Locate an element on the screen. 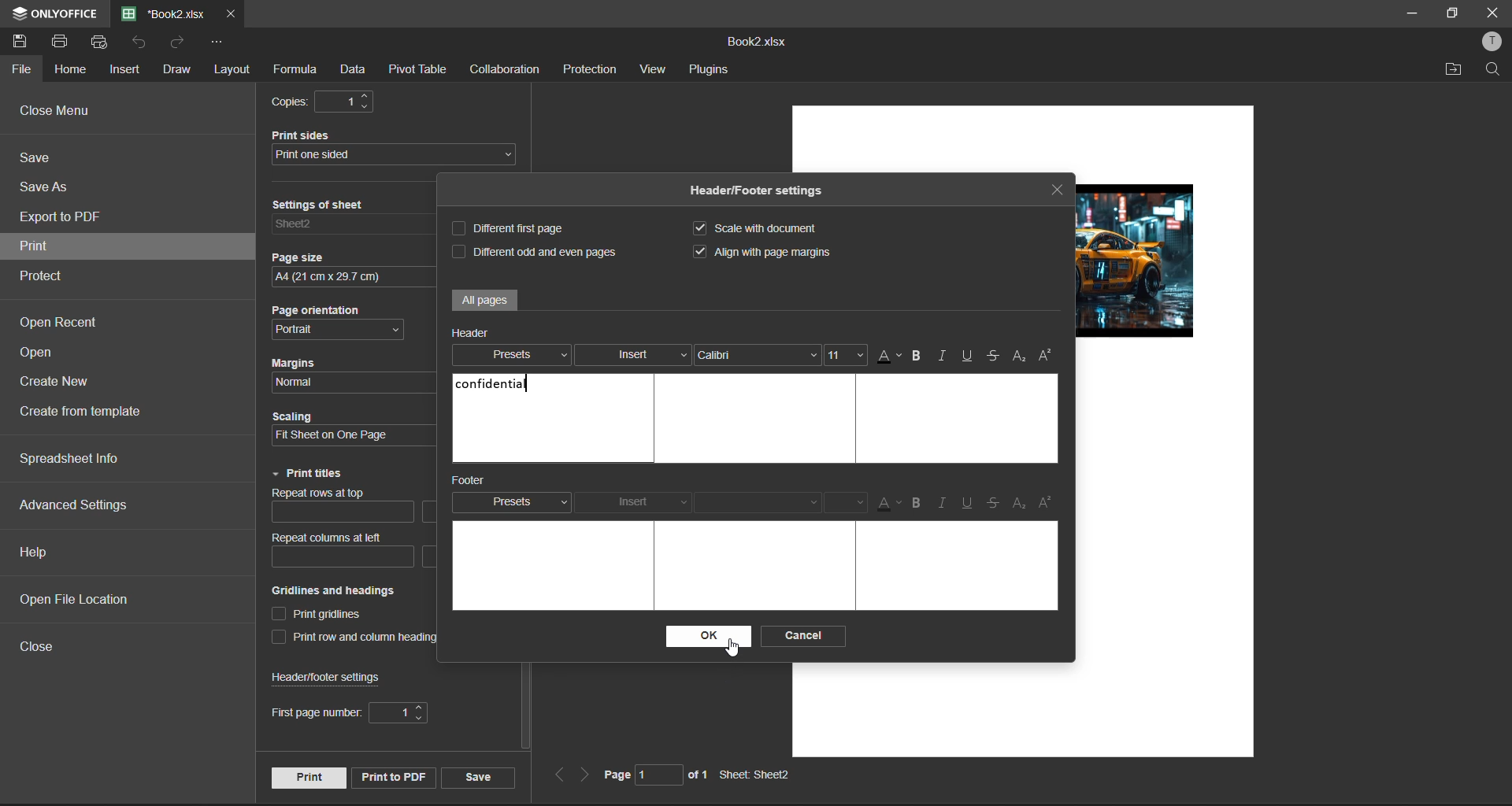 The height and width of the screenshot is (806, 1512). font color is located at coordinates (885, 503).